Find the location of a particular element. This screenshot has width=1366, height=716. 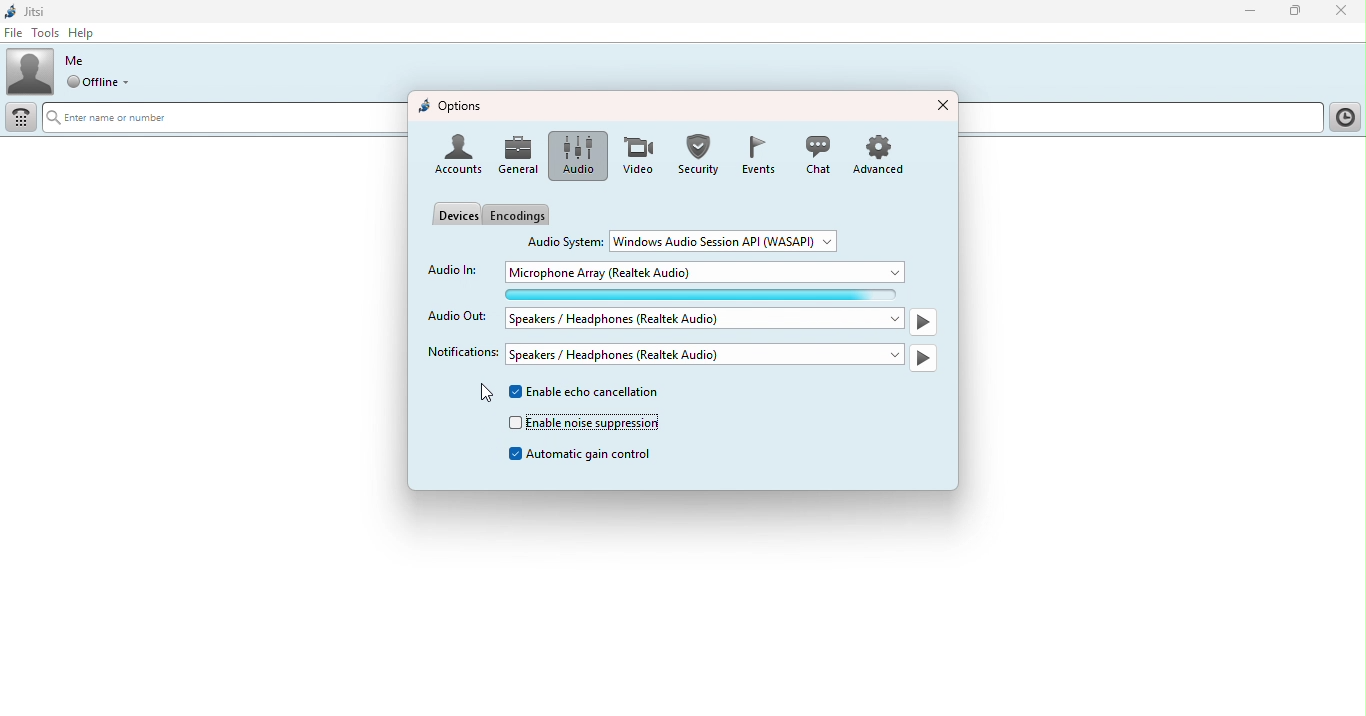

 is located at coordinates (756, 155).